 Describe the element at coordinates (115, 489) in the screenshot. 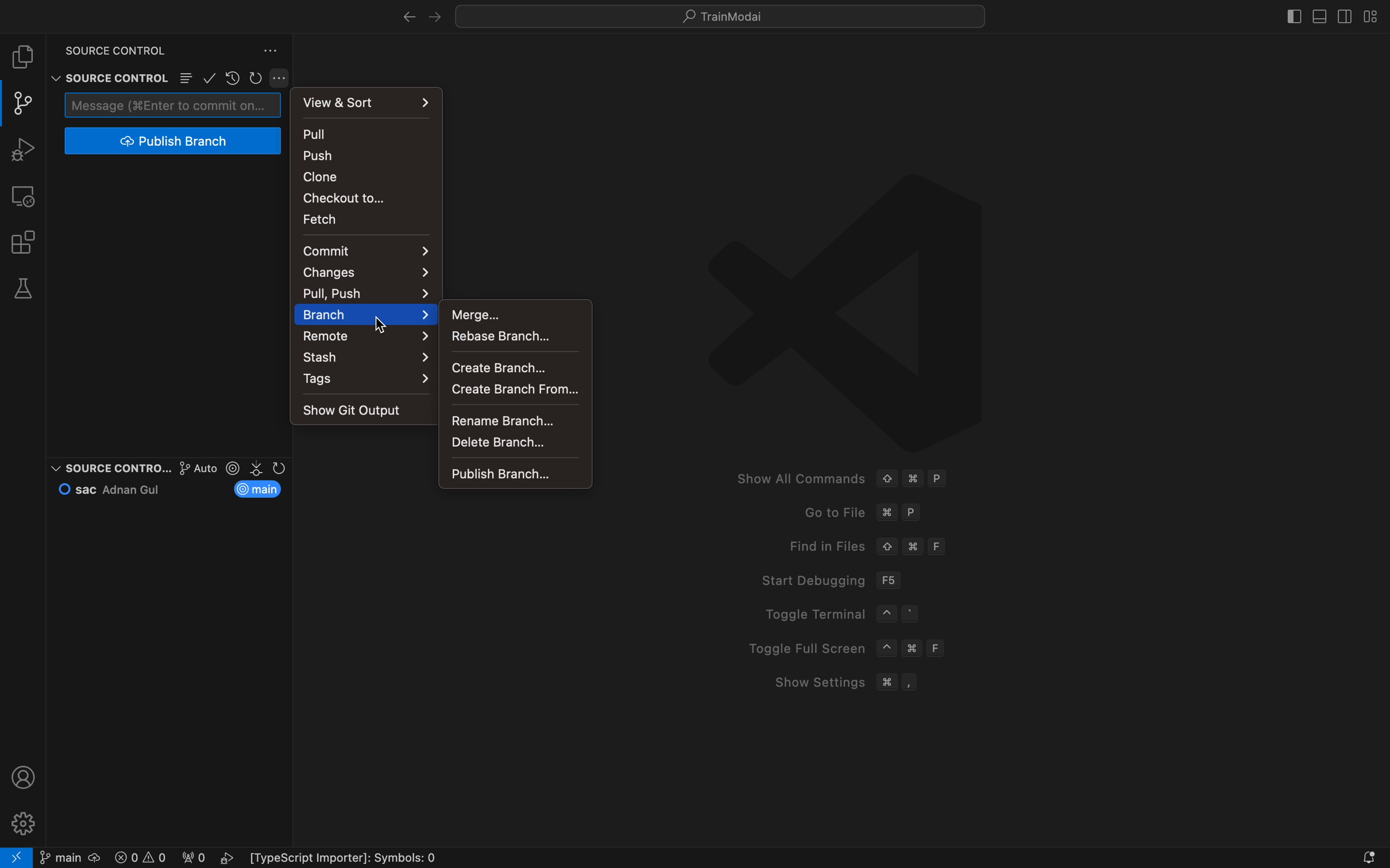

I see `commit and author name` at that location.